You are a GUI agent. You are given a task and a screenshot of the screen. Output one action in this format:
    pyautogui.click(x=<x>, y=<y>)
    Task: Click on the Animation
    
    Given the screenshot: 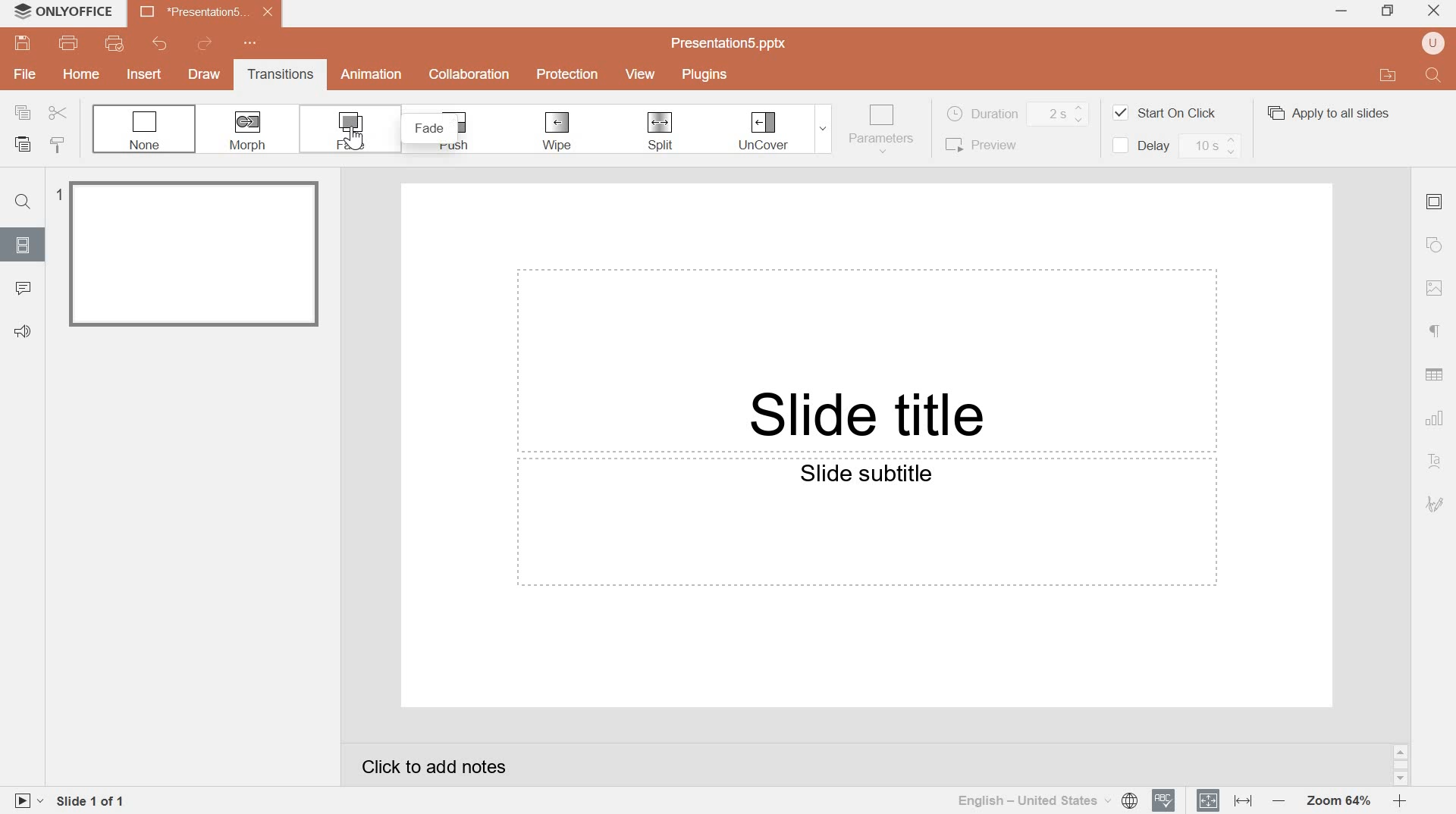 What is the action you would take?
    pyautogui.click(x=372, y=74)
    